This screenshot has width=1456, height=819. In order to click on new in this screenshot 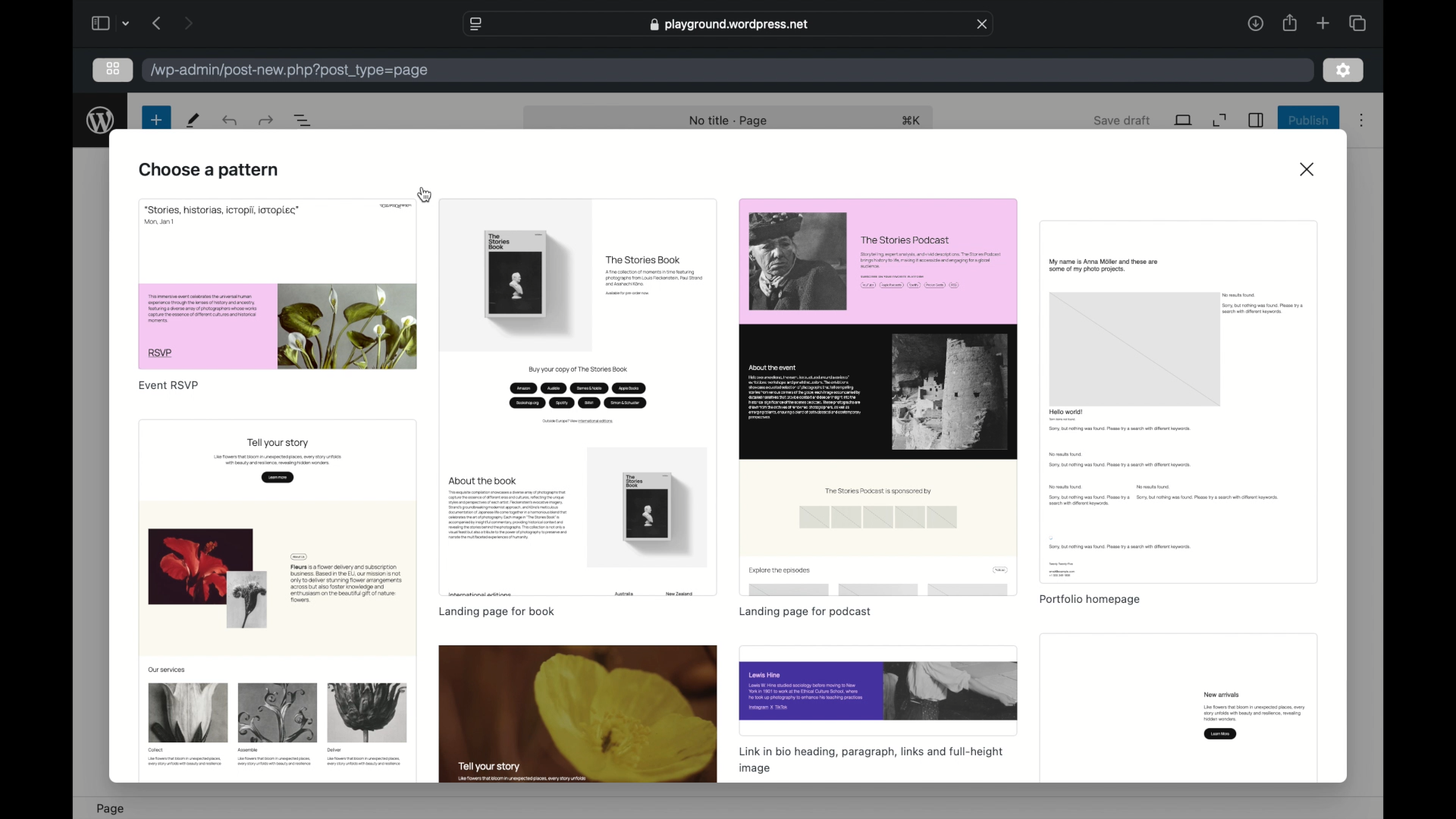, I will do `click(155, 120)`.